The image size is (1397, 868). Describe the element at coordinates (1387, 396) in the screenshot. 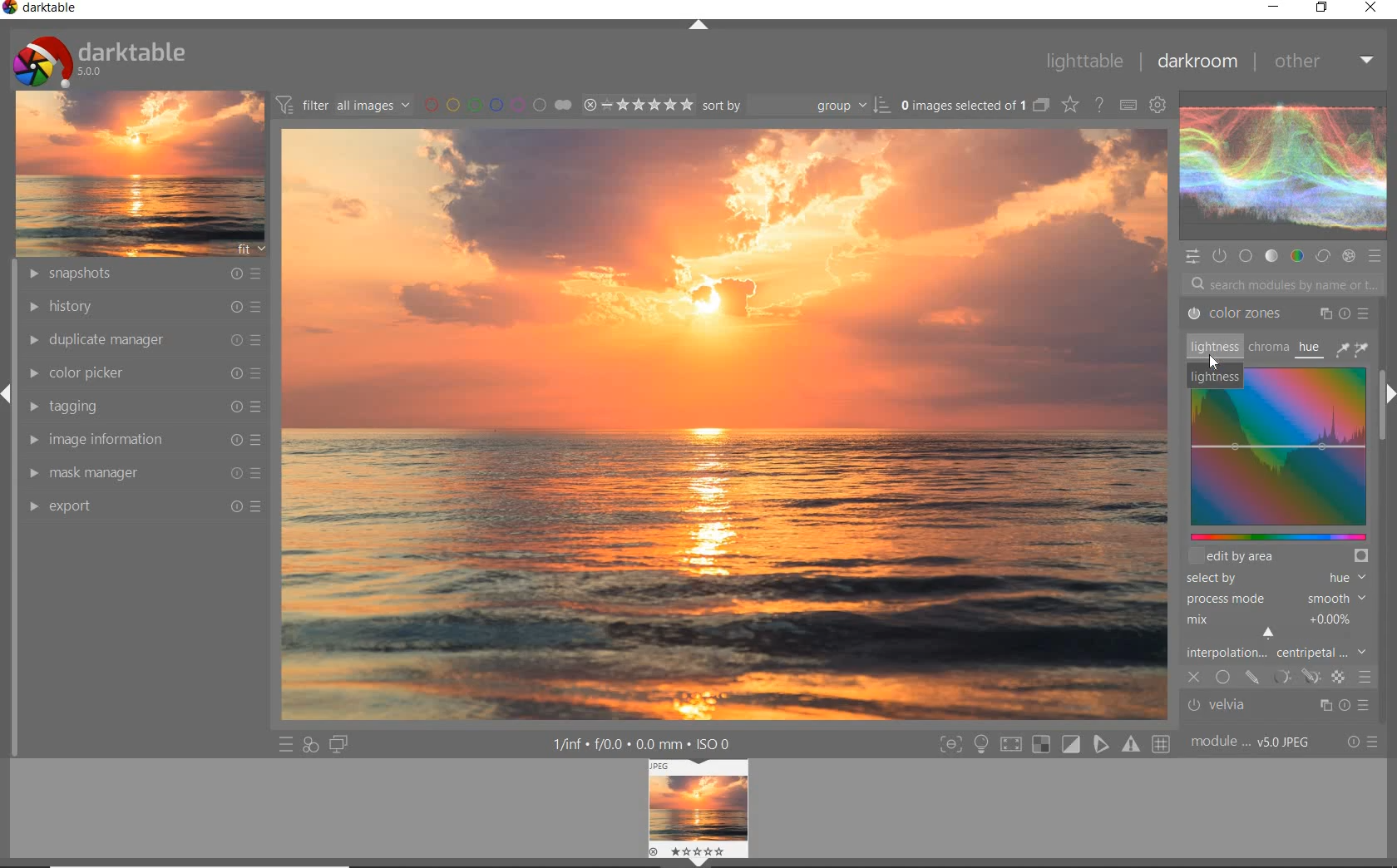

I see `EXPAND/COLLAPSE` at that location.